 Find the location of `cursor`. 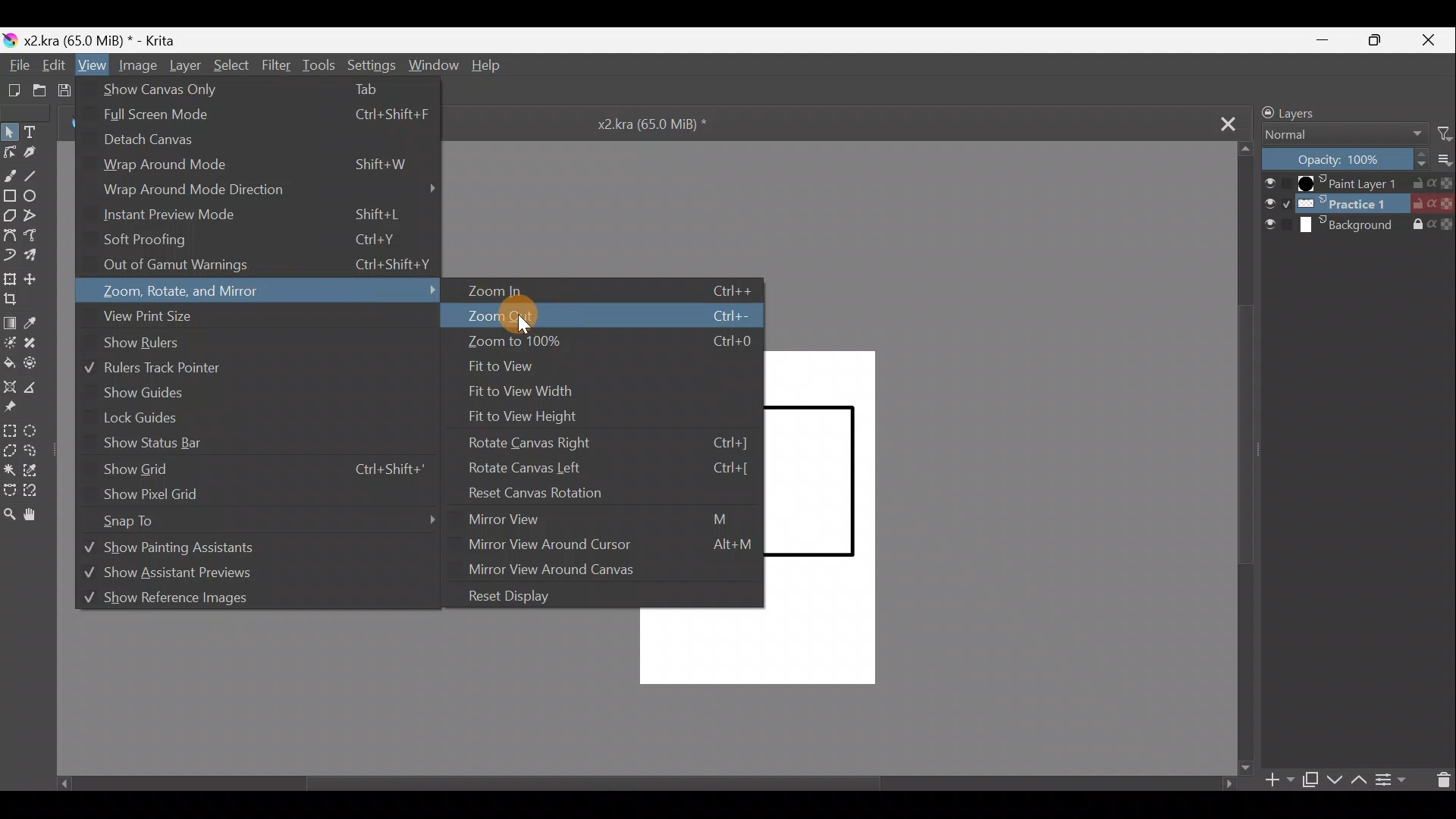

cursor is located at coordinates (521, 329).